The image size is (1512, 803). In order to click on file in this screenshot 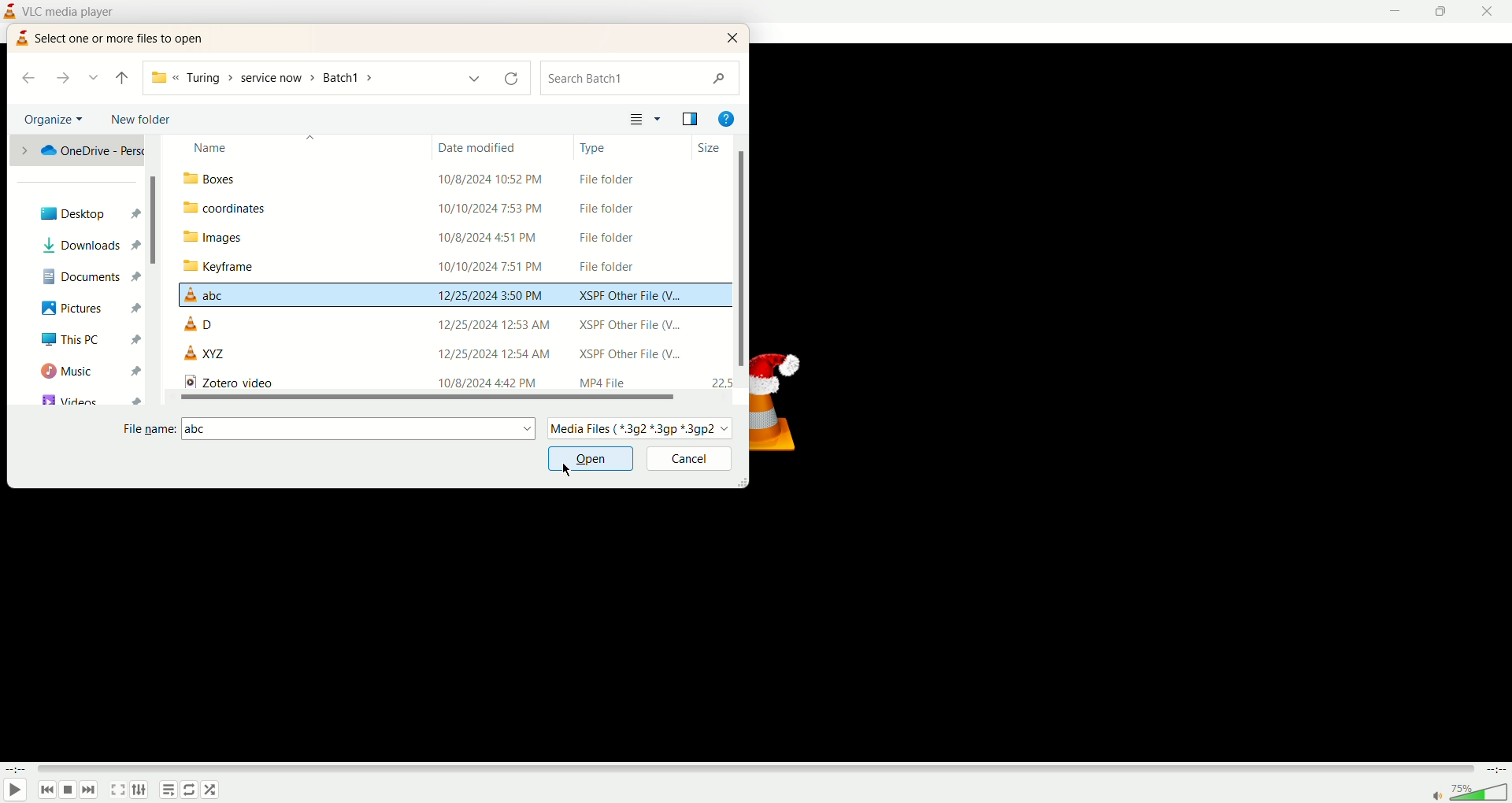, I will do `click(448, 324)`.